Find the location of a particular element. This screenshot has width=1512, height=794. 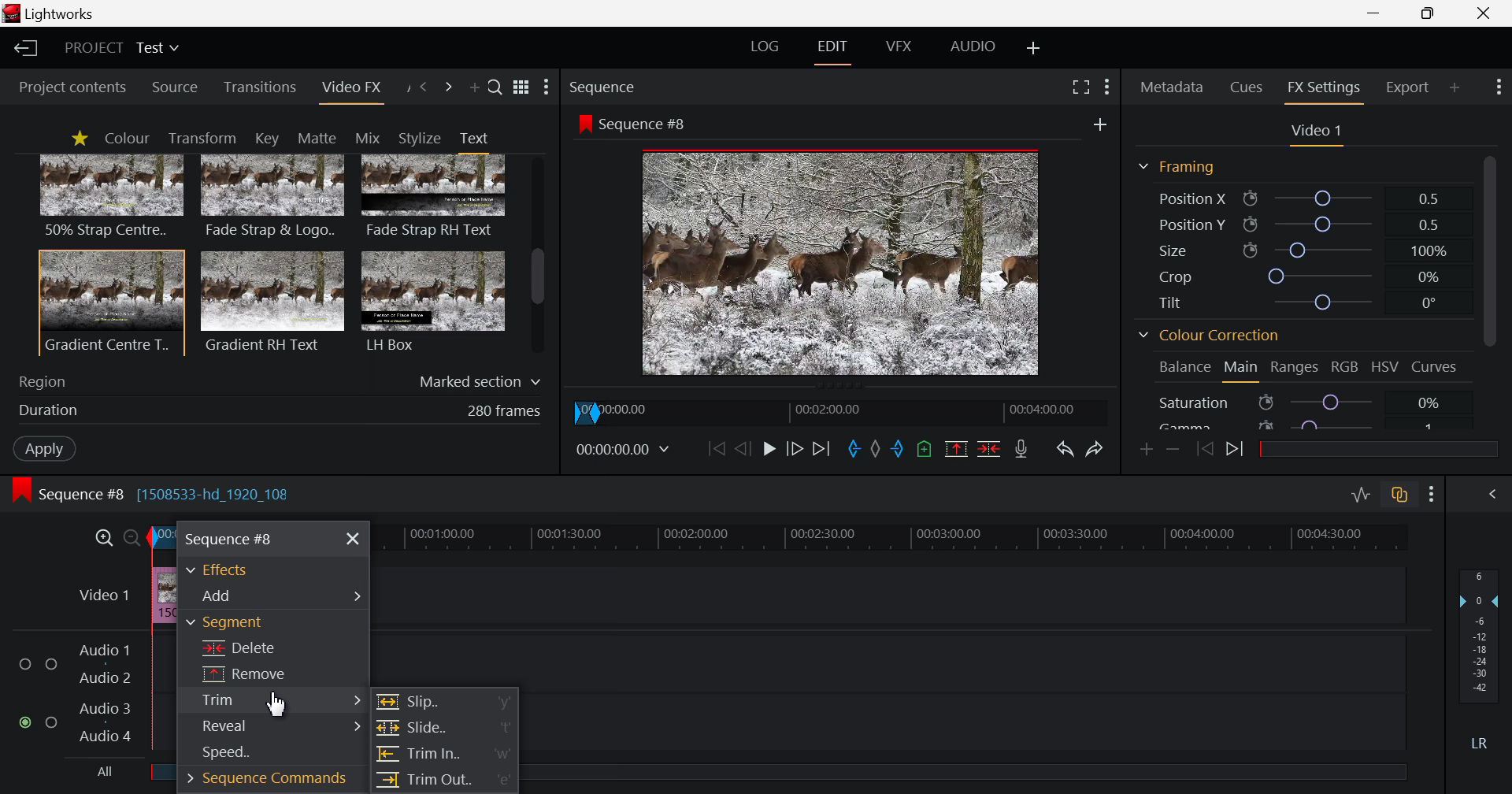

Speed is located at coordinates (258, 756).